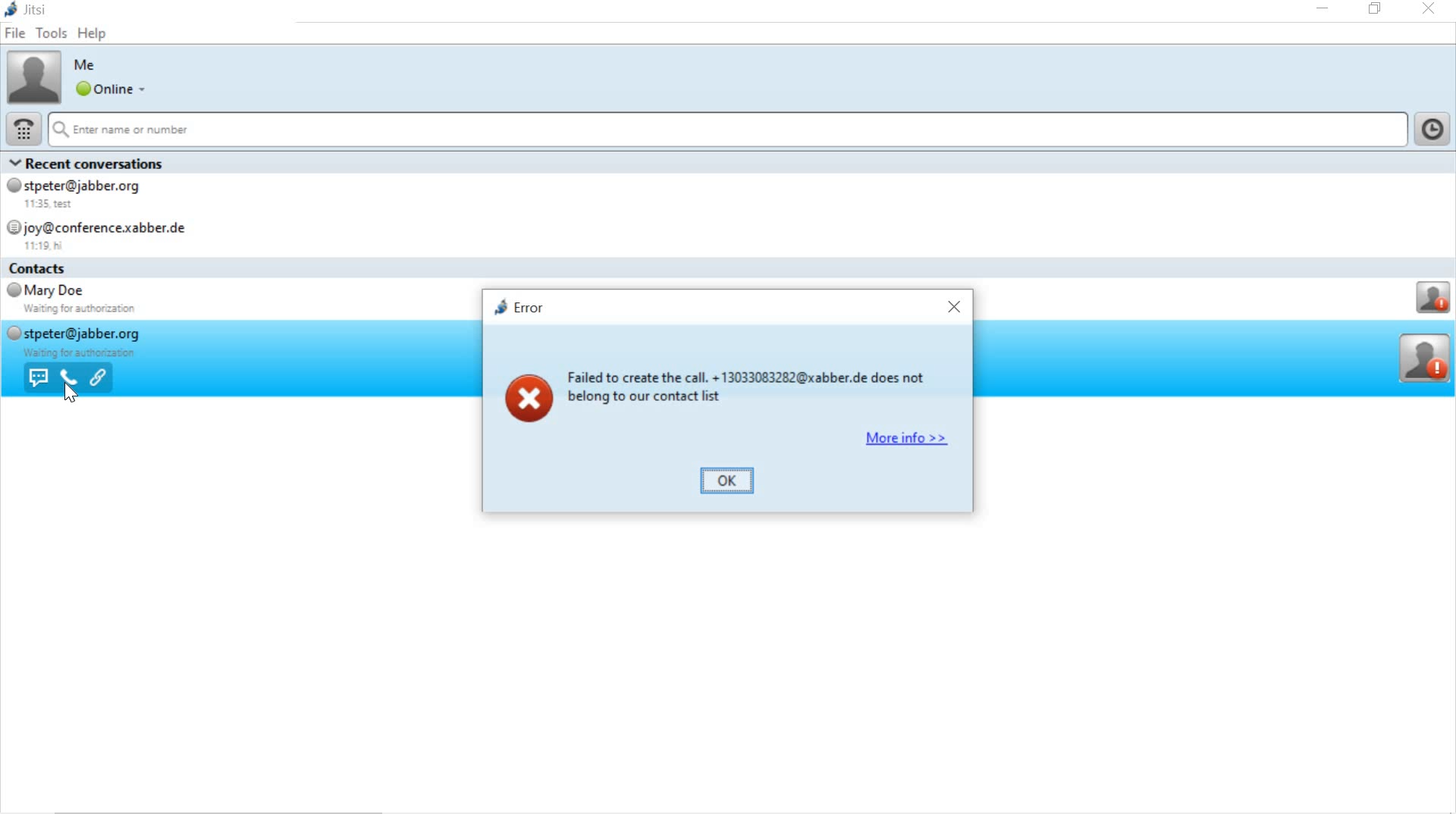 Image resolution: width=1456 pixels, height=814 pixels. Describe the element at coordinates (52, 33) in the screenshot. I see `tools` at that location.